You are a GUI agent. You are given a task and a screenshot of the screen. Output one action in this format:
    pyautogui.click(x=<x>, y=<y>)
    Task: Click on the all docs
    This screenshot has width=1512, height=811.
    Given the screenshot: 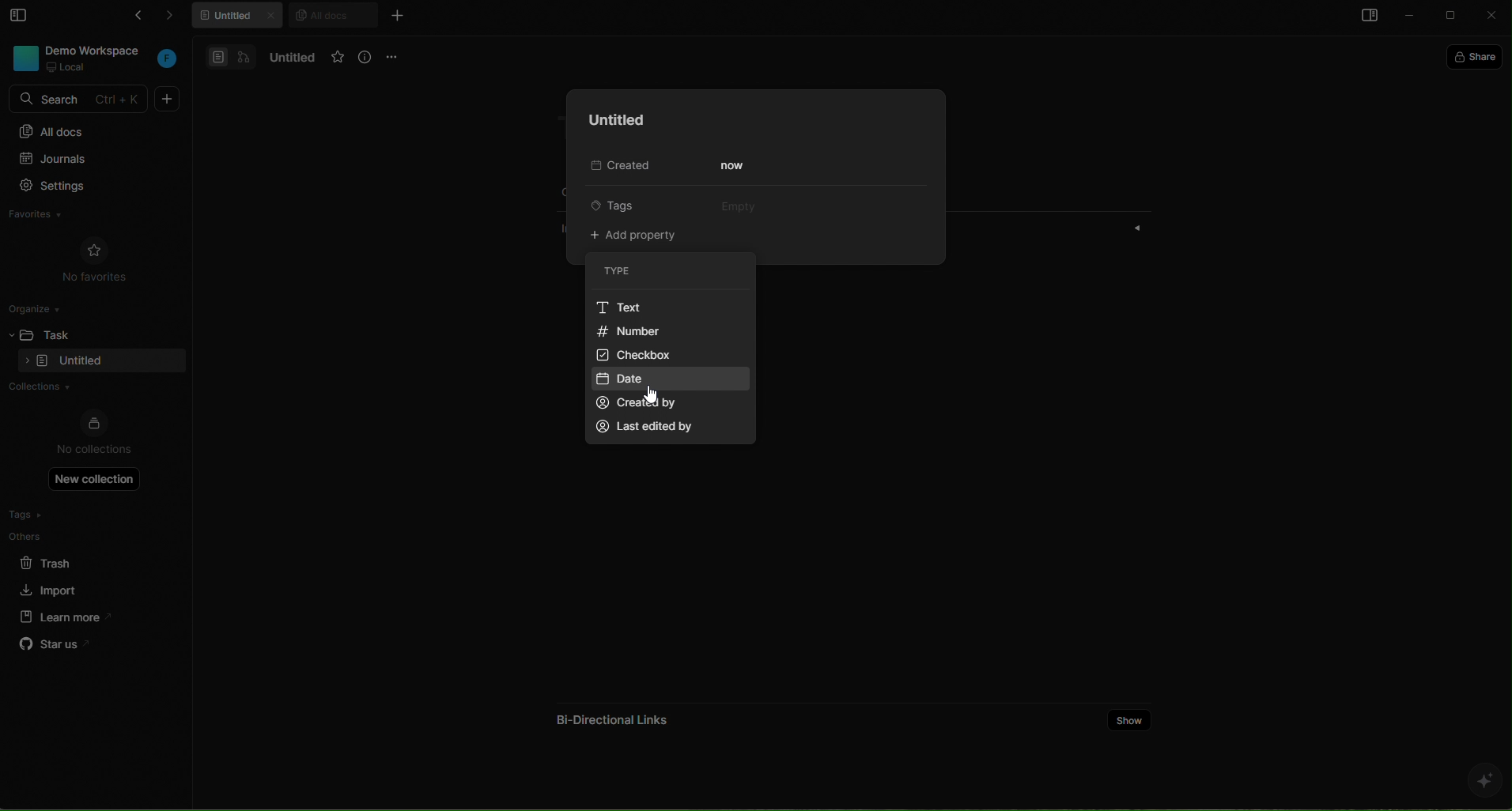 What is the action you would take?
    pyautogui.click(x=93, y=130)
    